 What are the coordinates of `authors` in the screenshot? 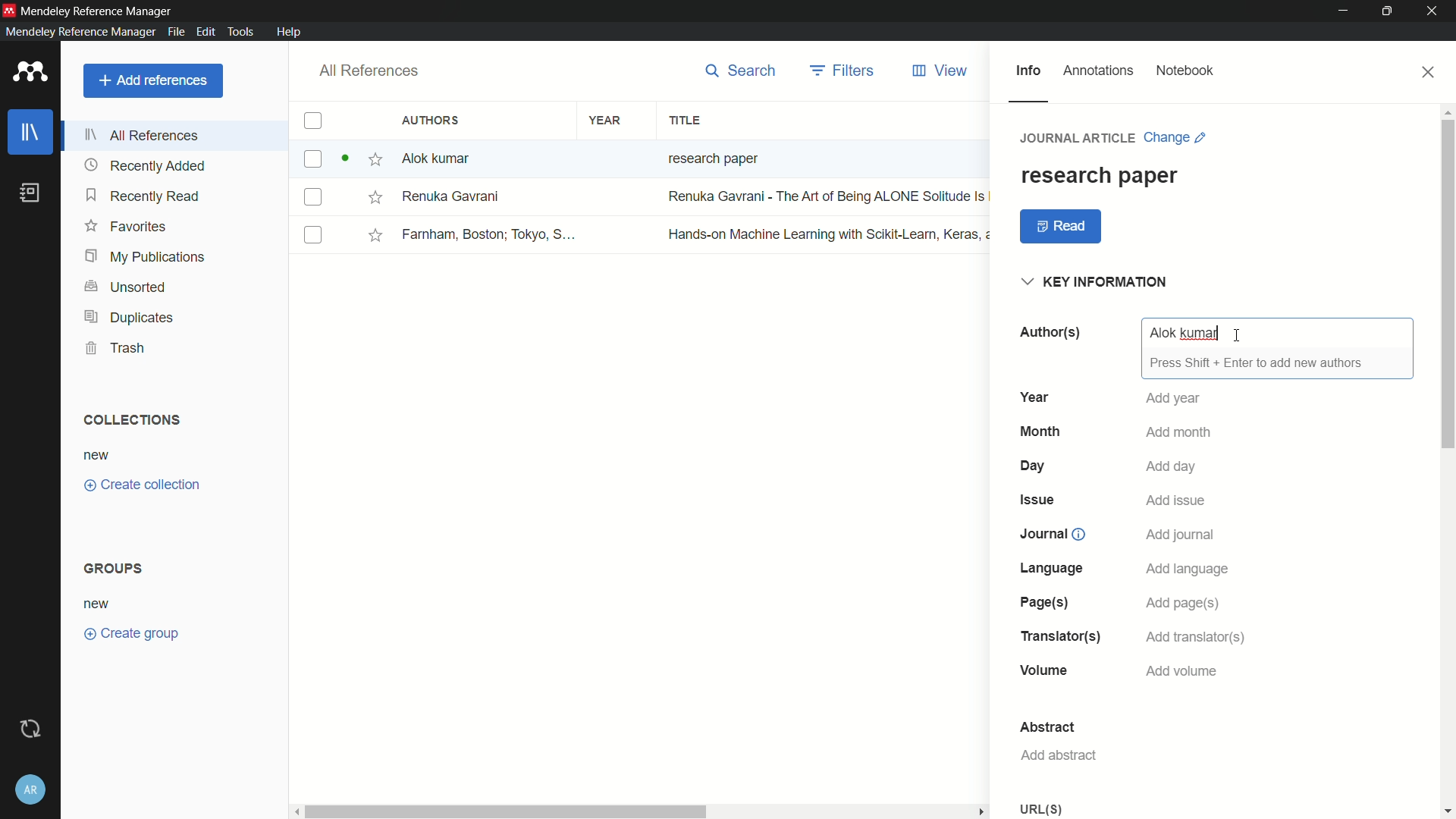 It's located at (433, 120).